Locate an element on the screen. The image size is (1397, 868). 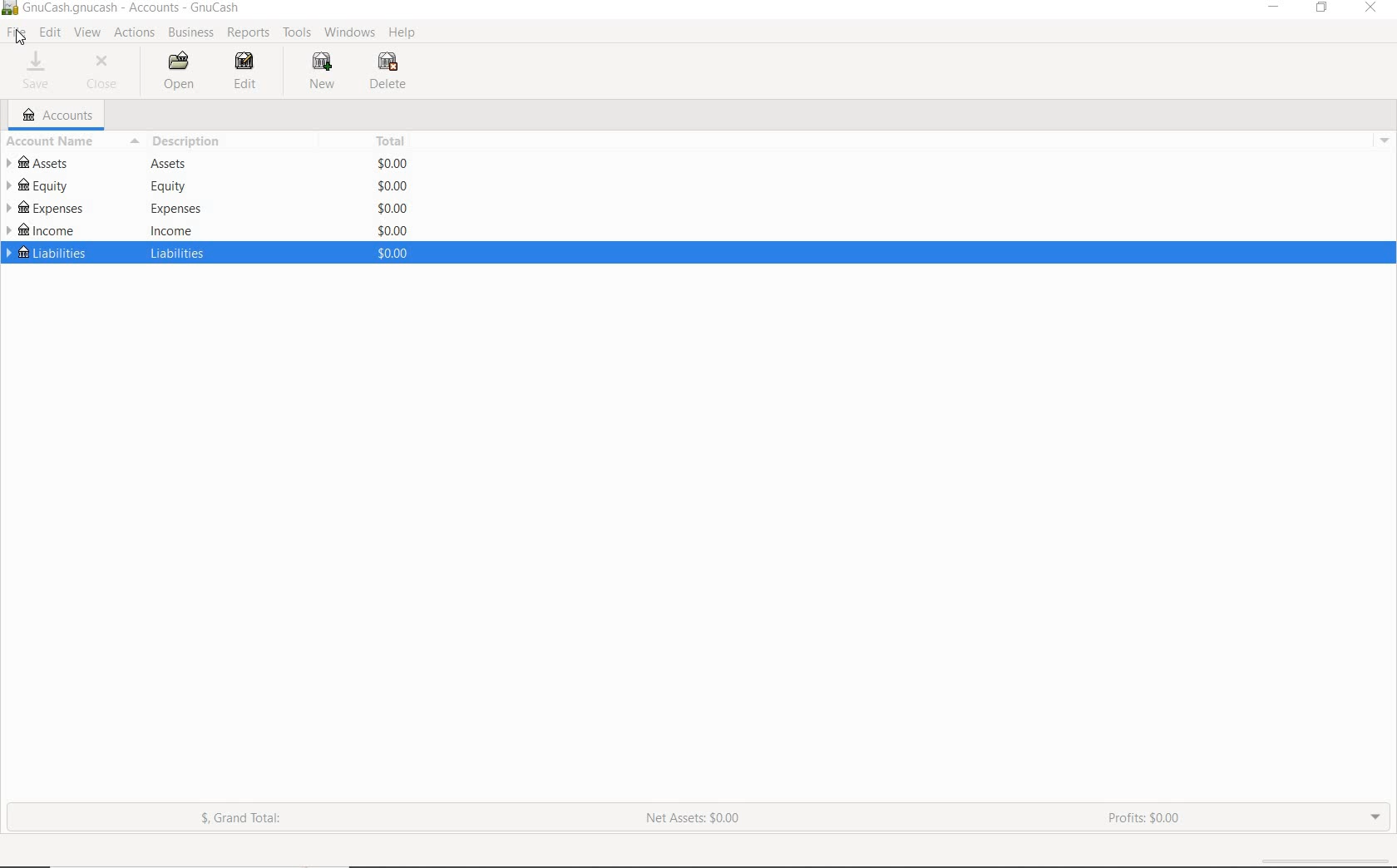
$0.00 is located at coordinates (392, 230).